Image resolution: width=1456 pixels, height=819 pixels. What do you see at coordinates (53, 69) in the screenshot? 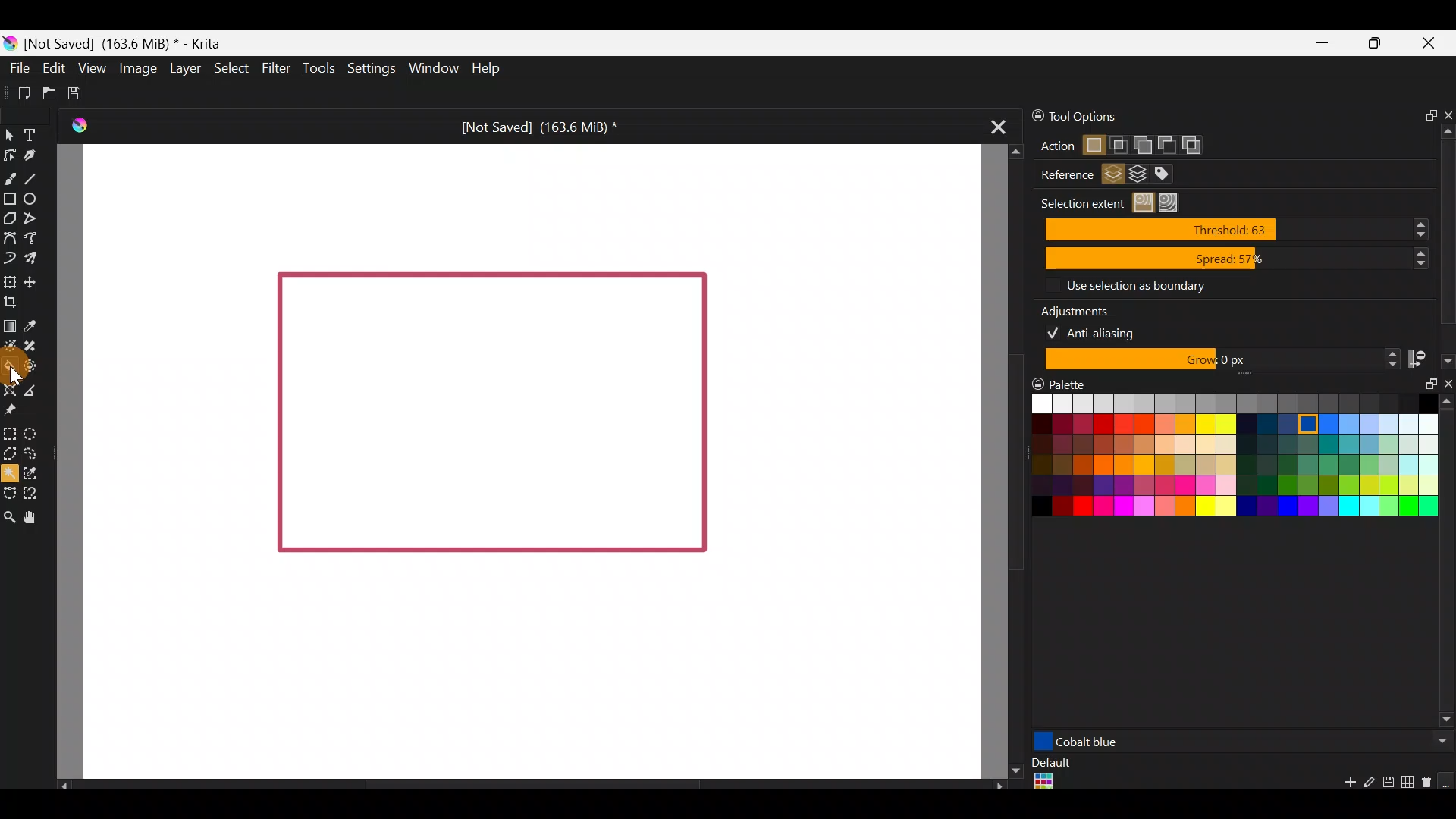
I see `Edit` at bounding box center [53, 69].